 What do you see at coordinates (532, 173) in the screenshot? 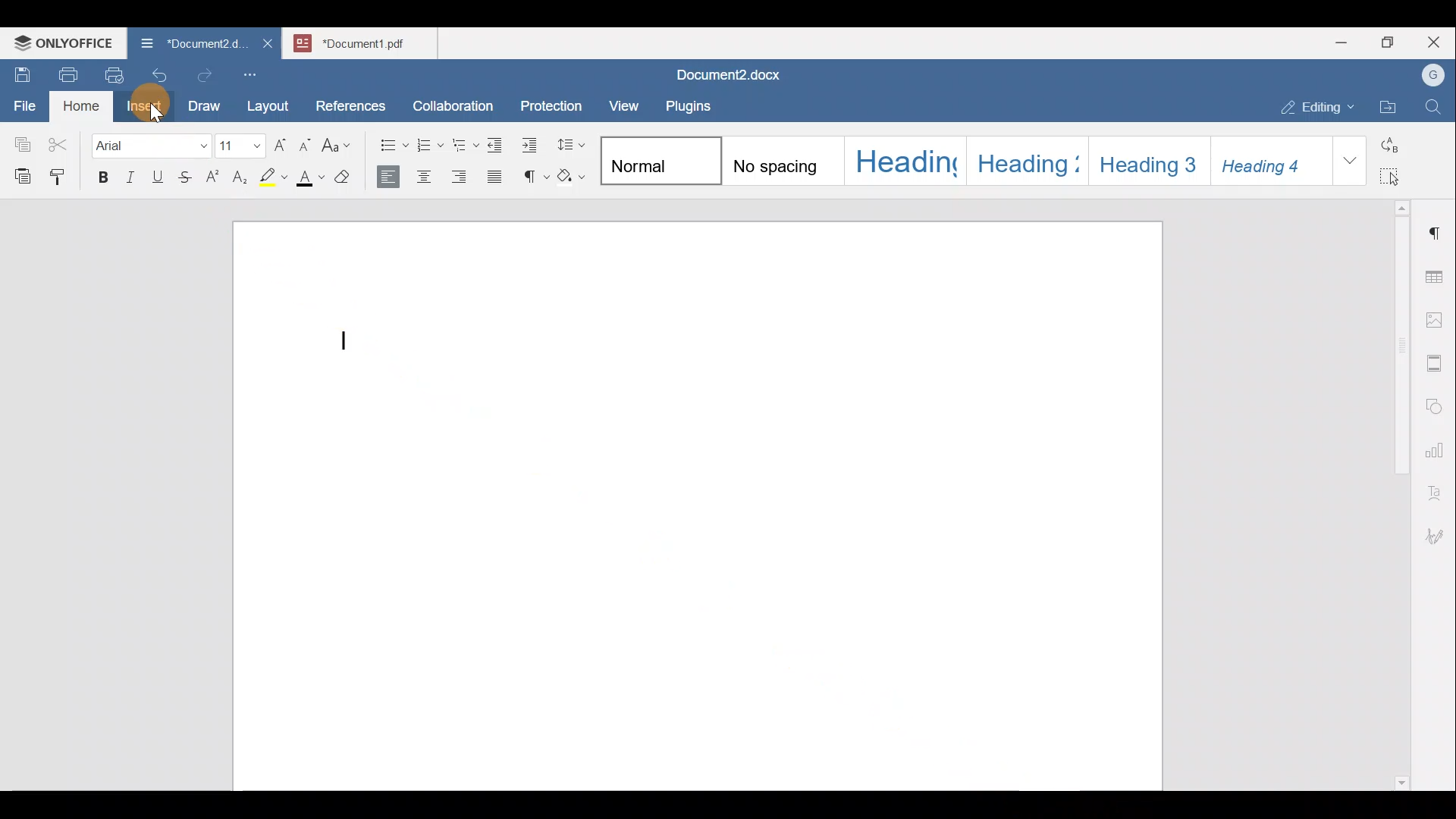
I see `Nonprinting characters` at bounding box center [532, 173].